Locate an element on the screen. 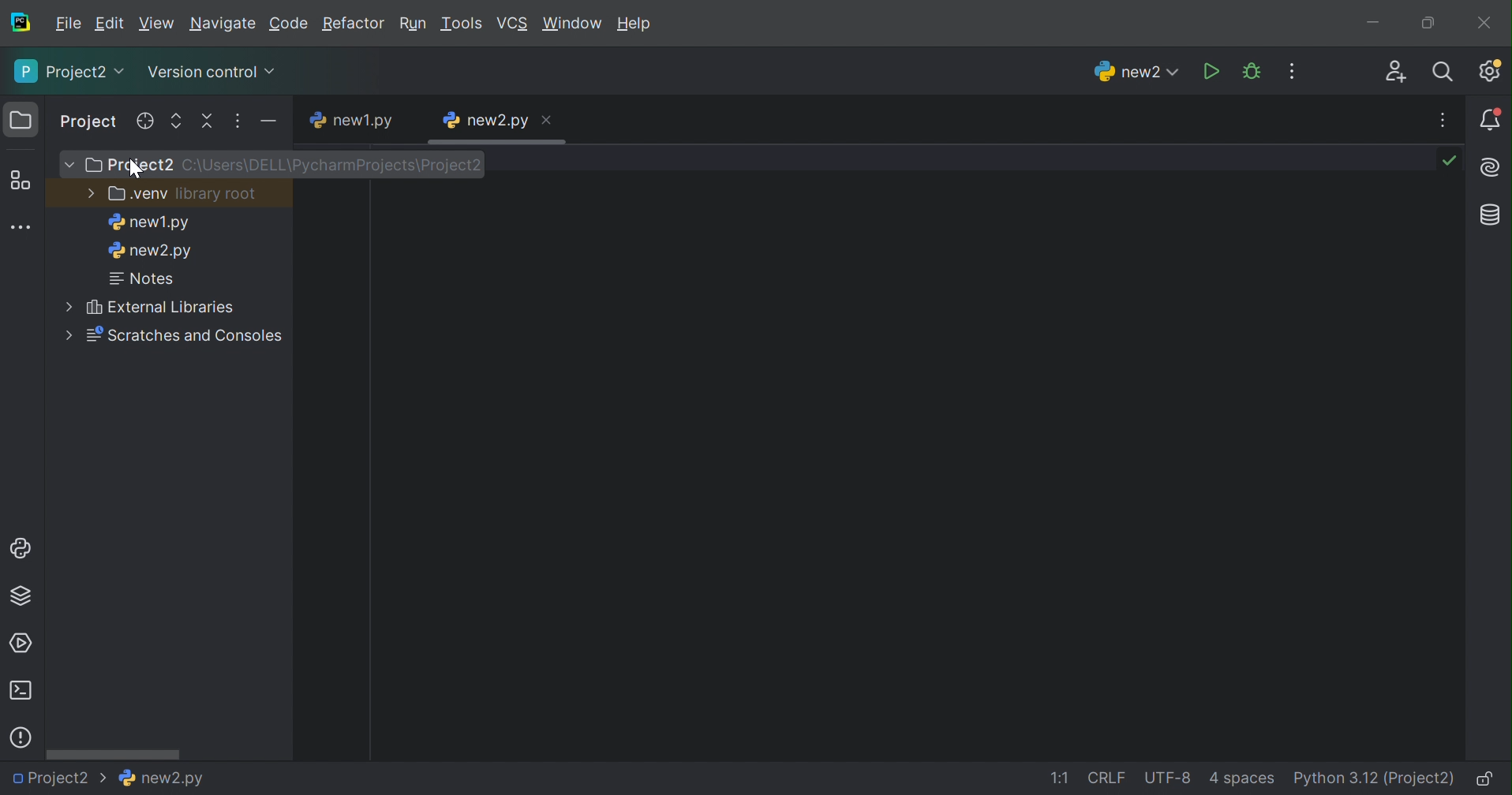  Recent file, tab actions, and more is located at coordinates (1445, 120).